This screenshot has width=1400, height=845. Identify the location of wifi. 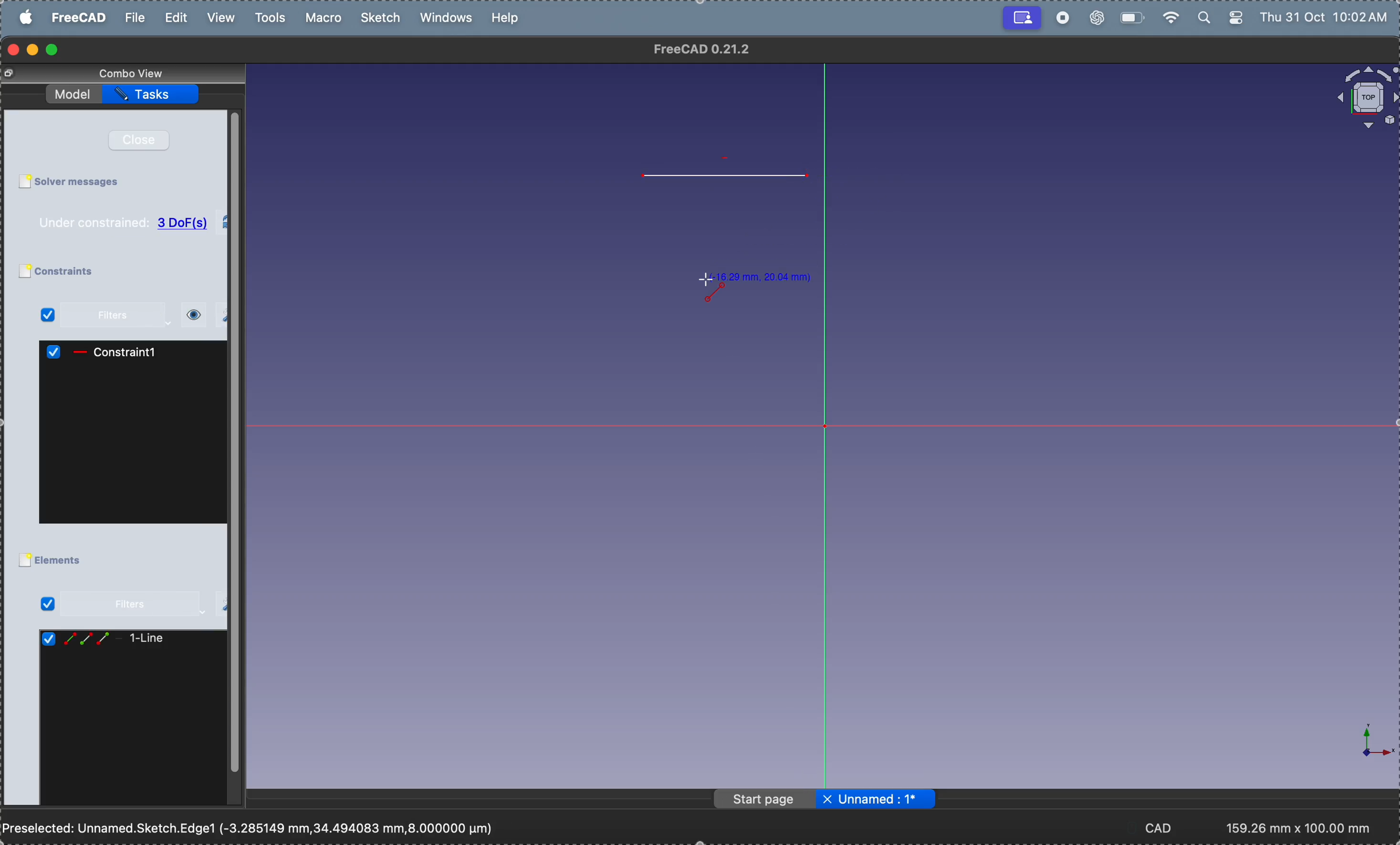
(1168, 18).